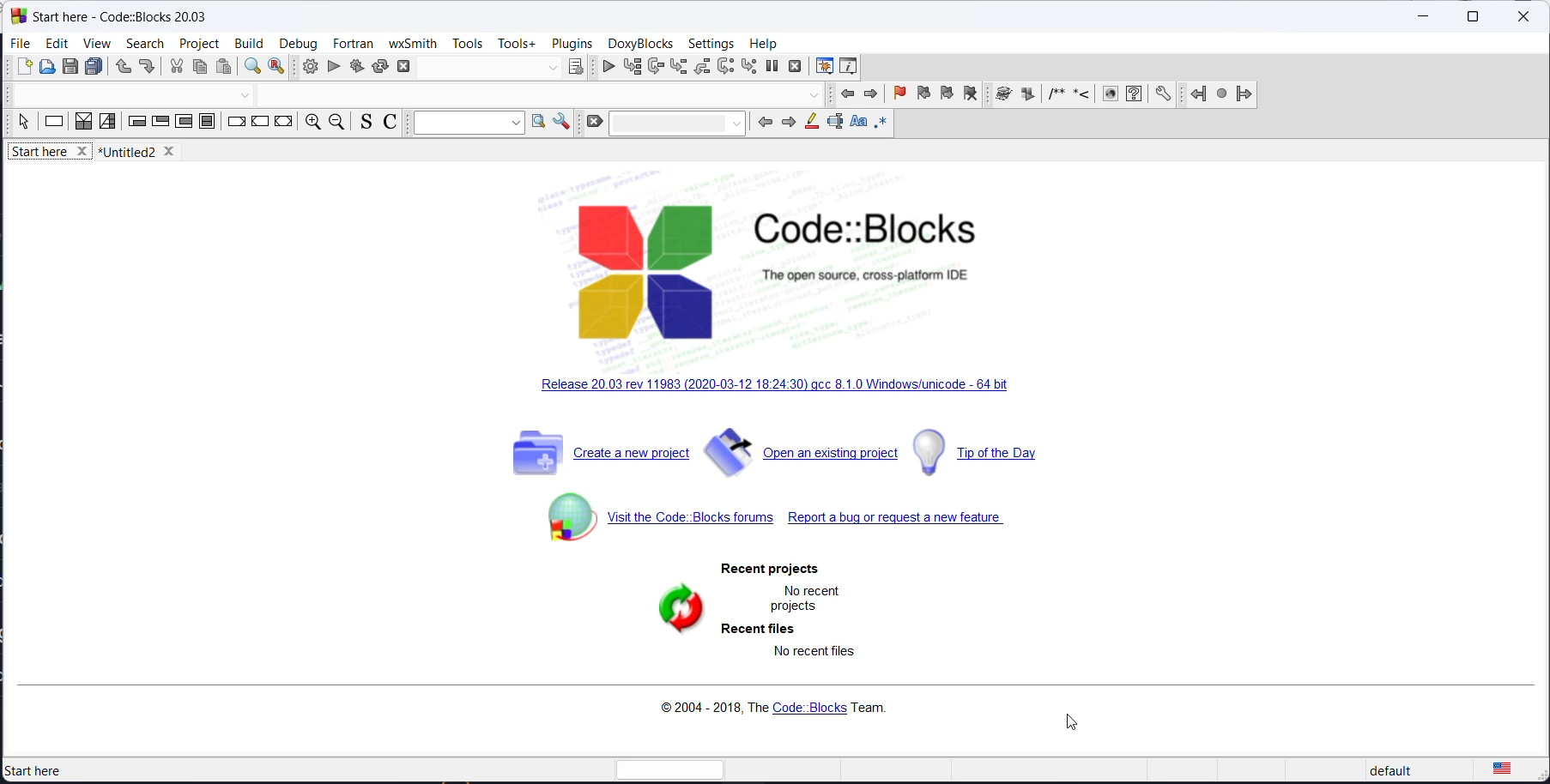  Describe the element at coordinates (1081, 96) in the screenshot. I see `icon` at that location.